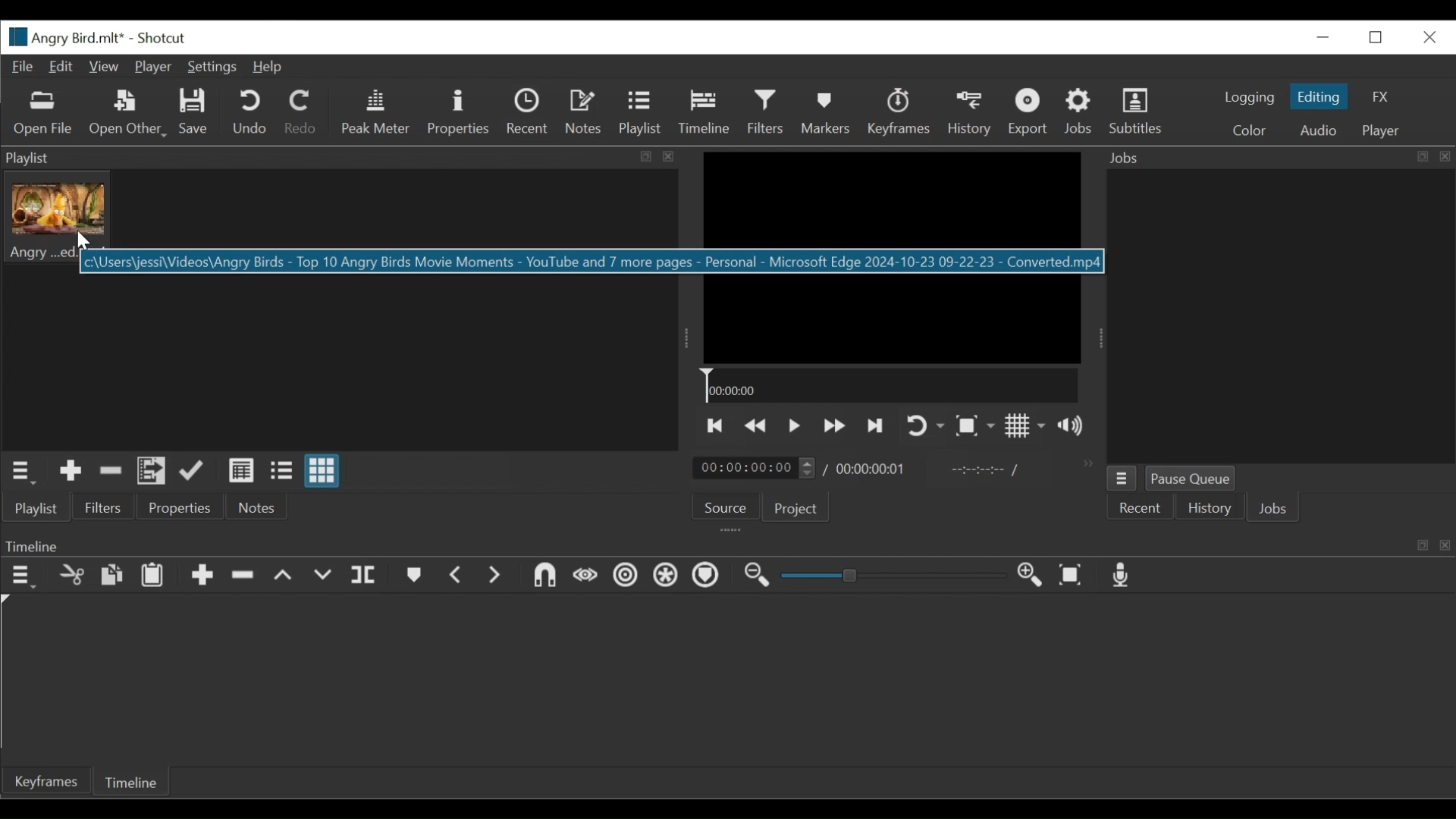  I want to click on Jobs, so click(1078, 110).